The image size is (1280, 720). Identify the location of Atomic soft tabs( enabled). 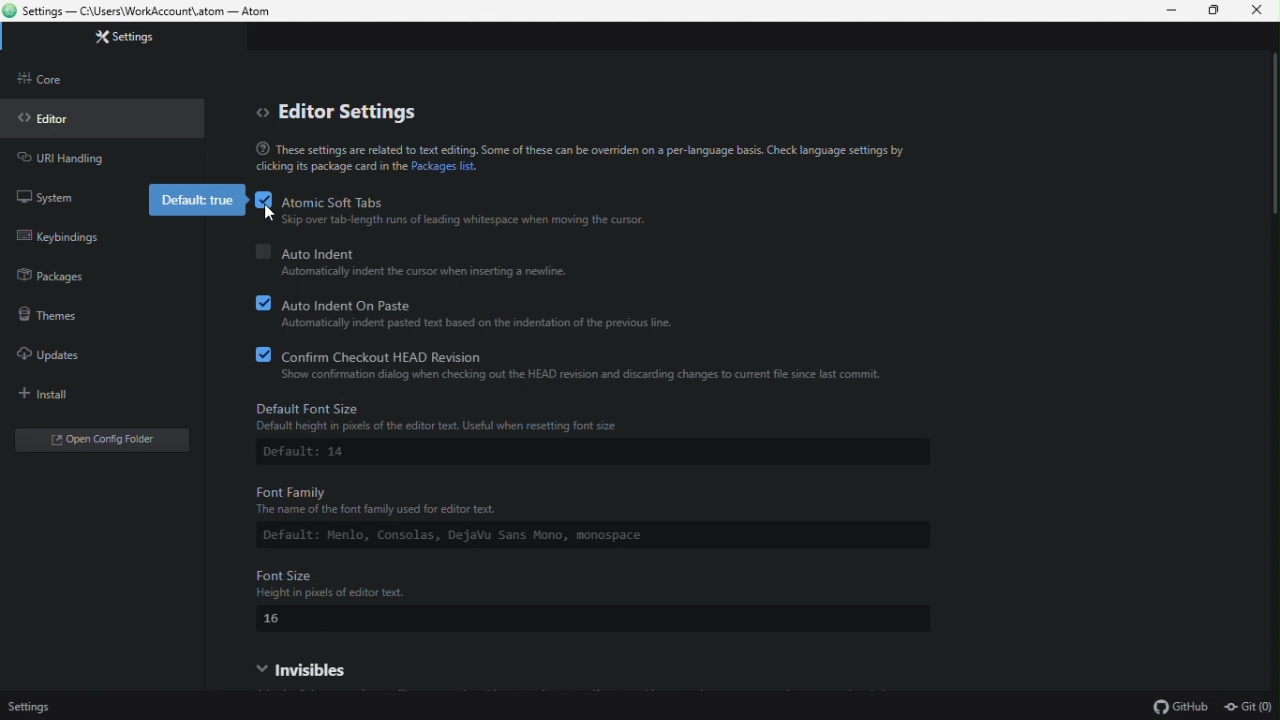
(399, 196).